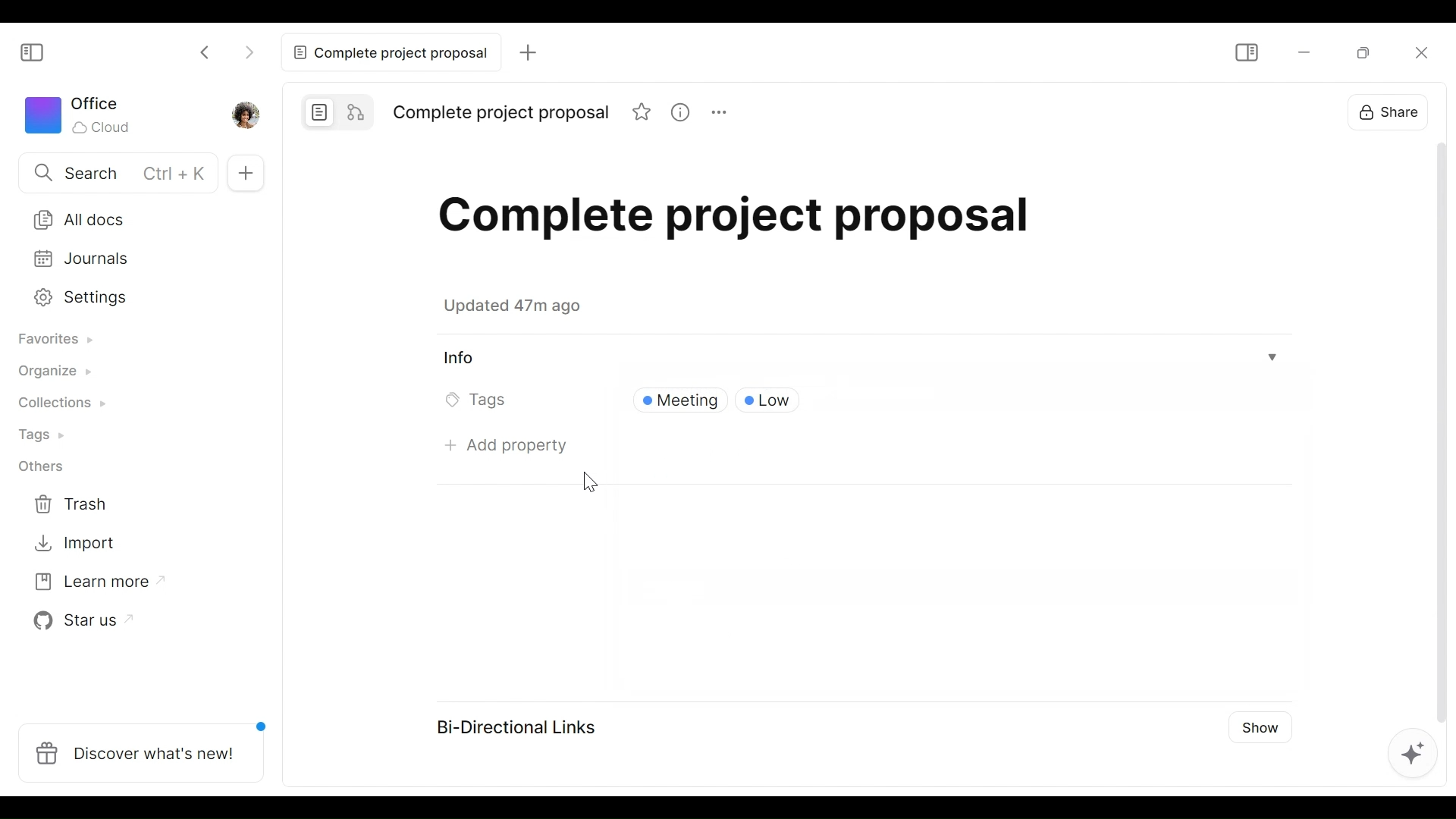  What do you see at coordinates (80, 504) in the screenshot?
I see `Trash` at bounding box center [80, 504].